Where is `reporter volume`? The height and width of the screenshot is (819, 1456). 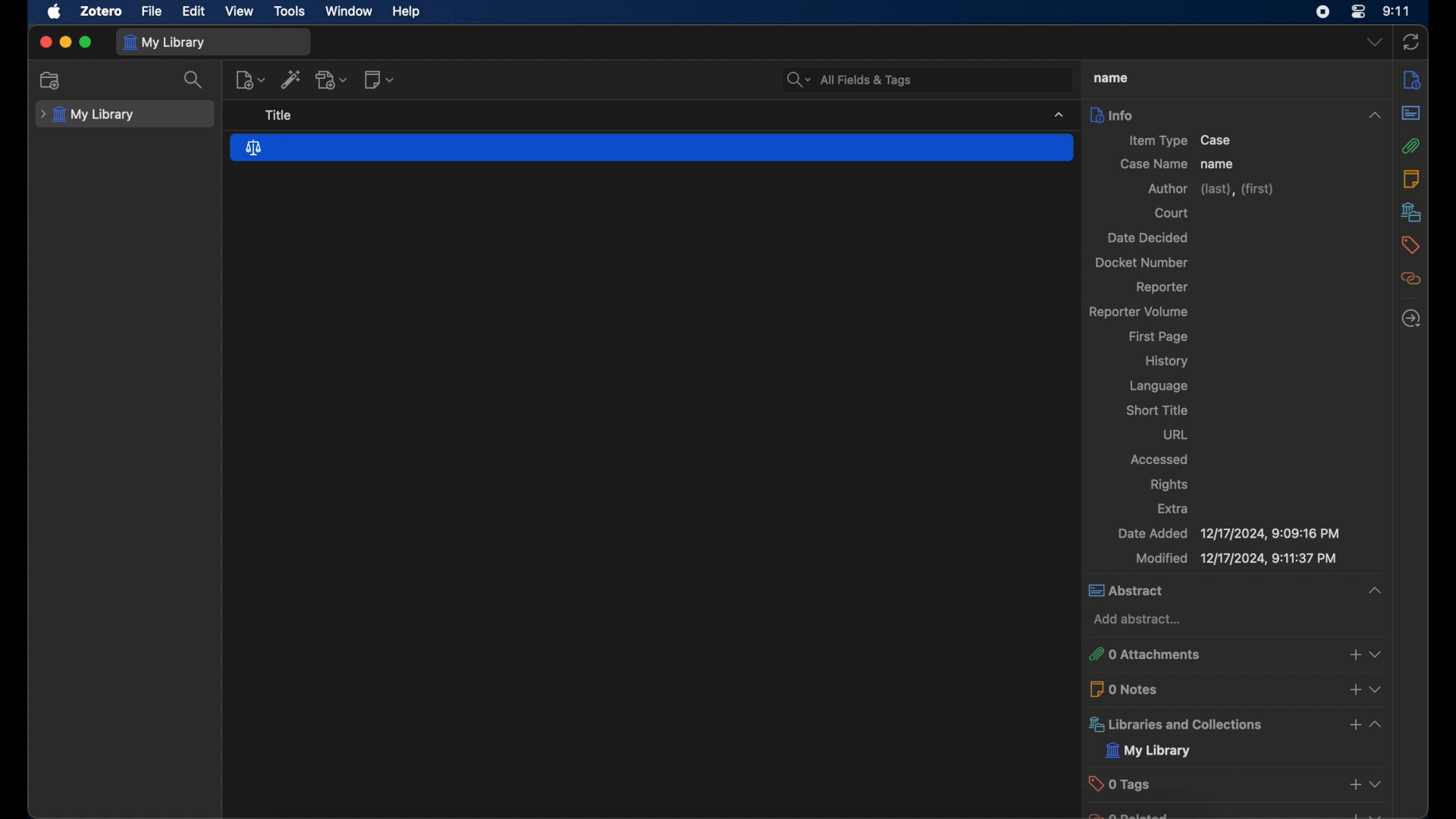 reporter volume is located at coordinates (1137, 312).